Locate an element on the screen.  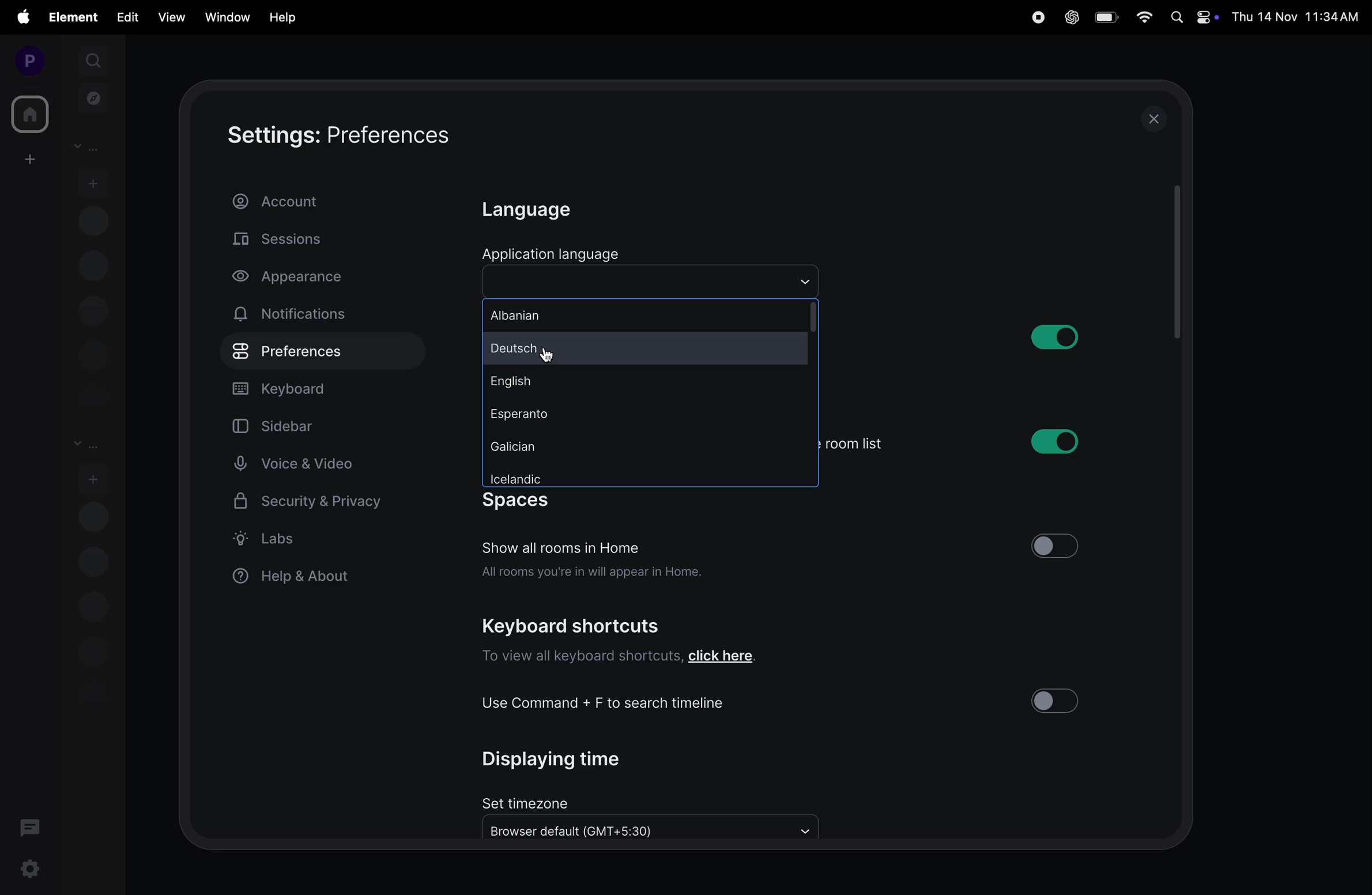
record is located at coordinates (1039, 17).